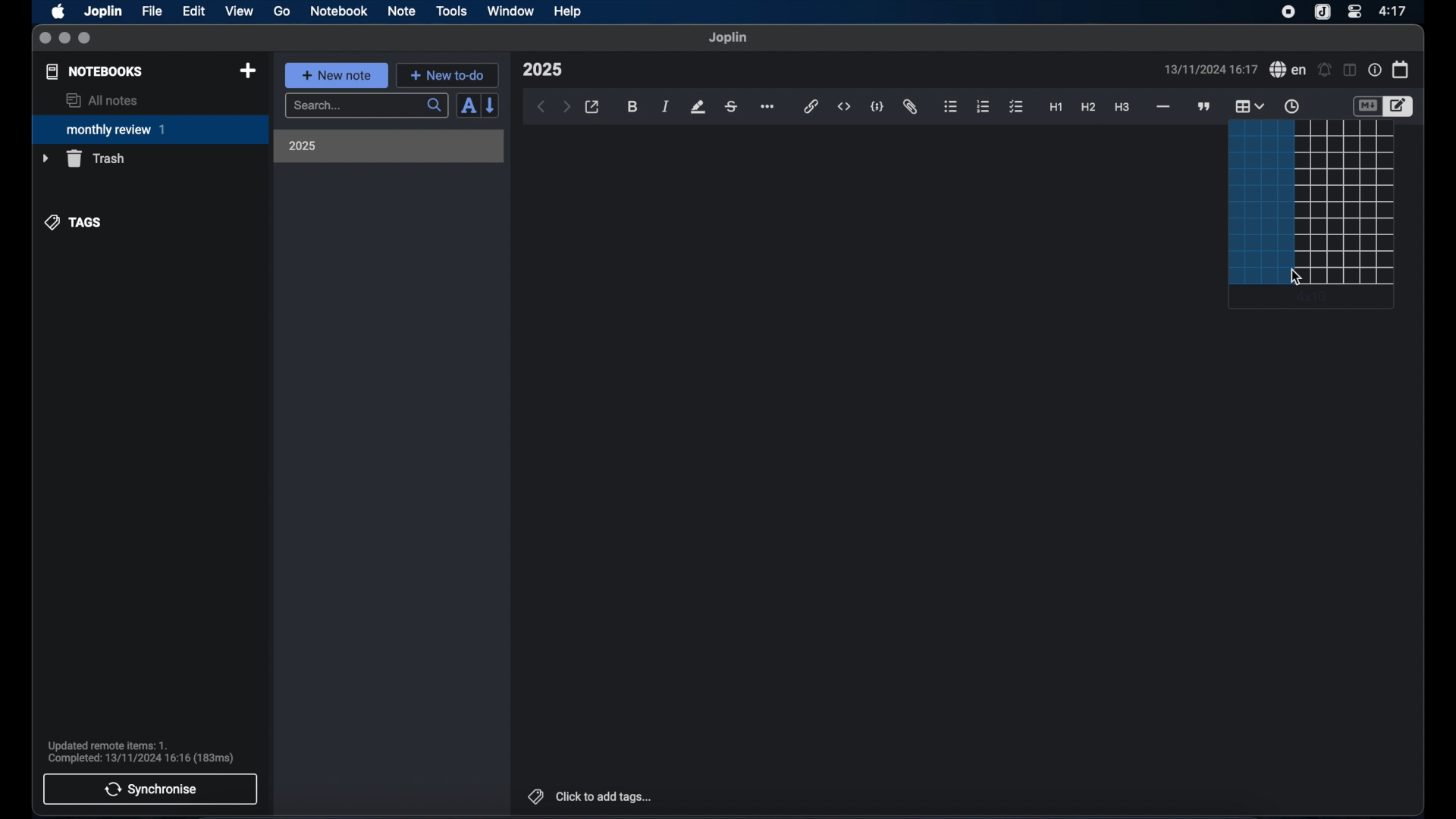 Image resolution: width=1456 pixels, height=819 pixels. I want to click on monthly review, so click(150, 128).